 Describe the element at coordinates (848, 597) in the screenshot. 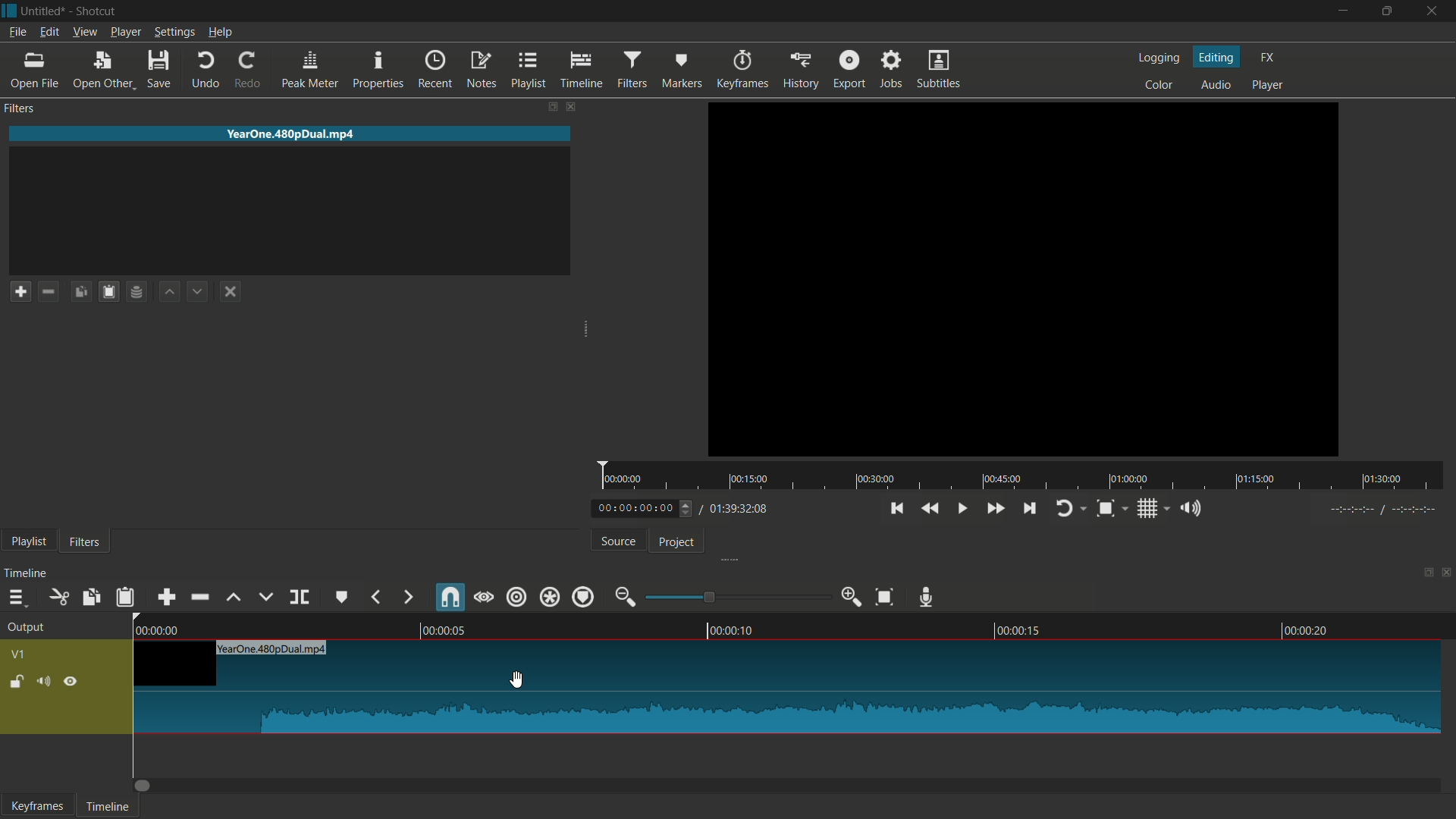

I see `zoom in` at that location.